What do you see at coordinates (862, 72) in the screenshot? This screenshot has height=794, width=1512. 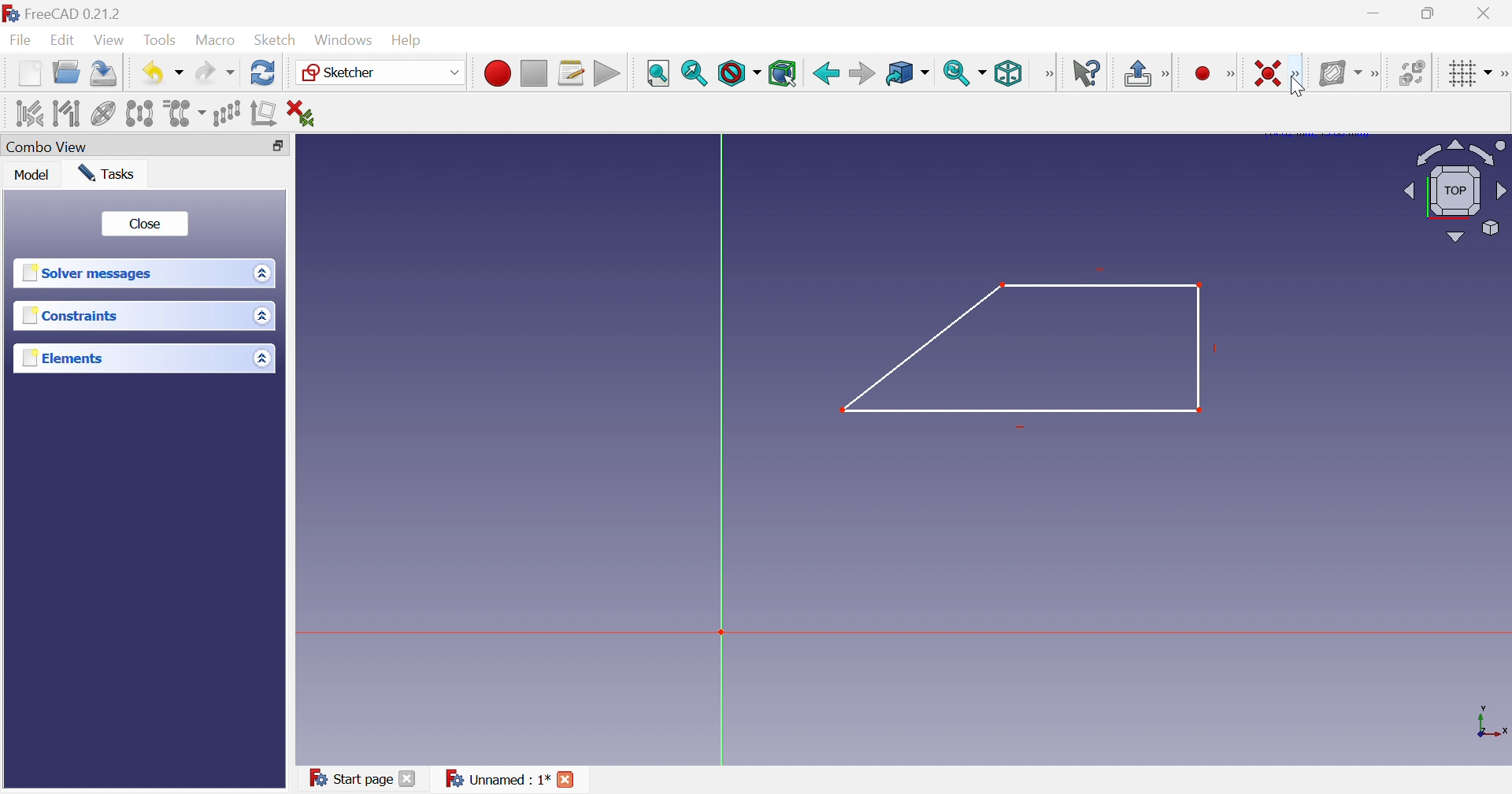 I see `Forward` at bounding box center [862, 72].